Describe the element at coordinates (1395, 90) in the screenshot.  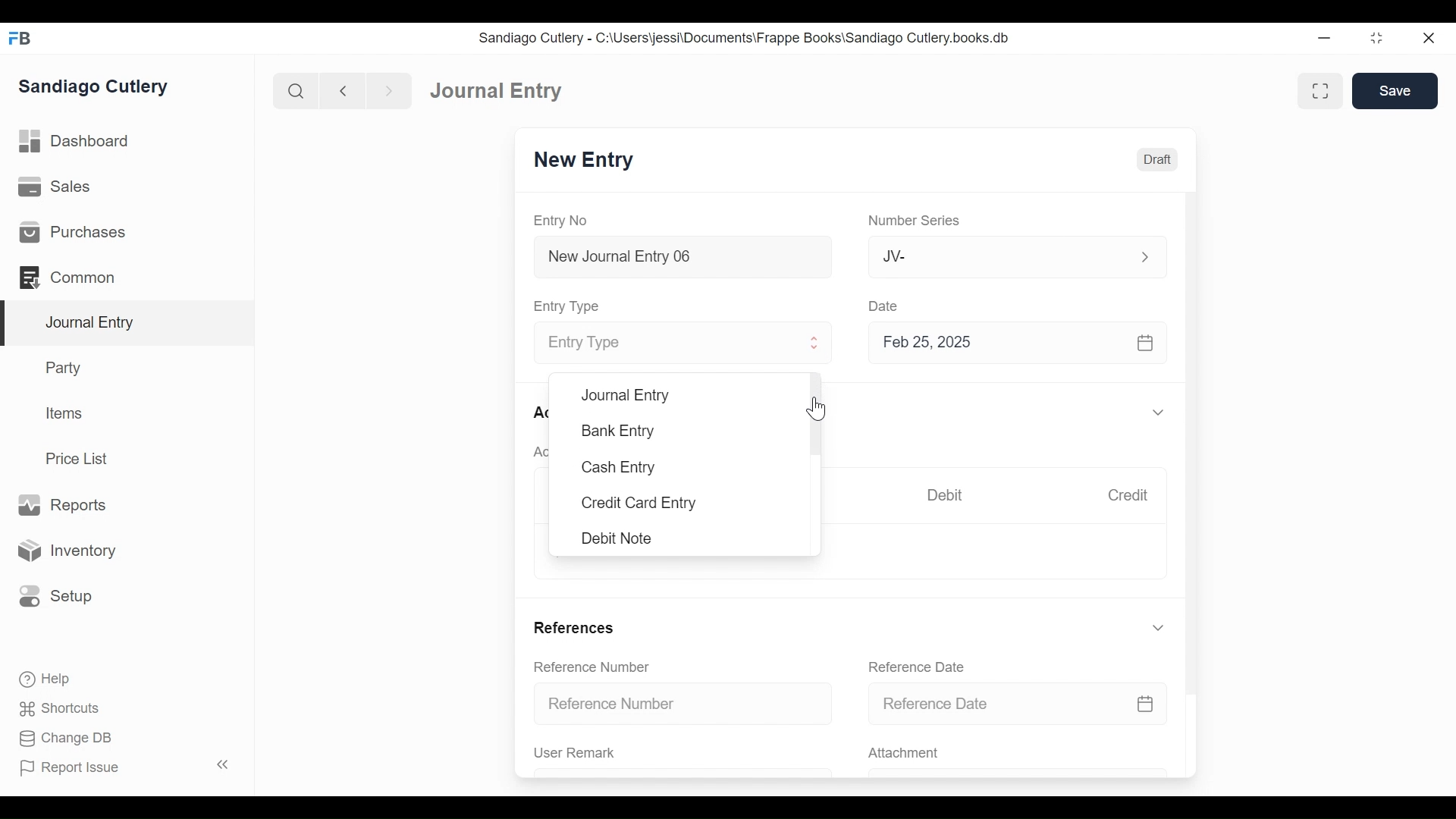
I see `Save` at that location.